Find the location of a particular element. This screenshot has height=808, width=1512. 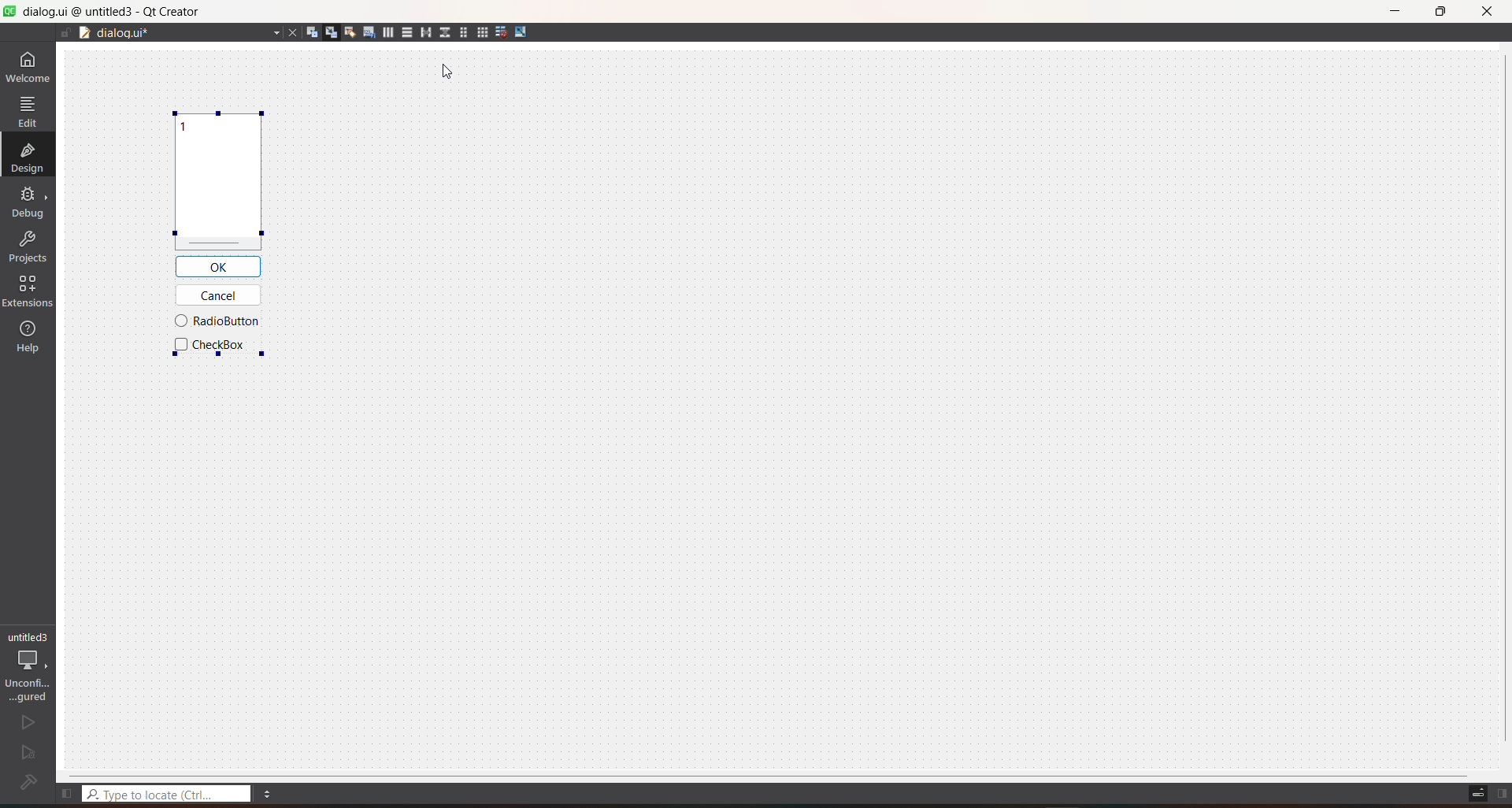

layout horizontal splitter is located at coordinates (423, 33).